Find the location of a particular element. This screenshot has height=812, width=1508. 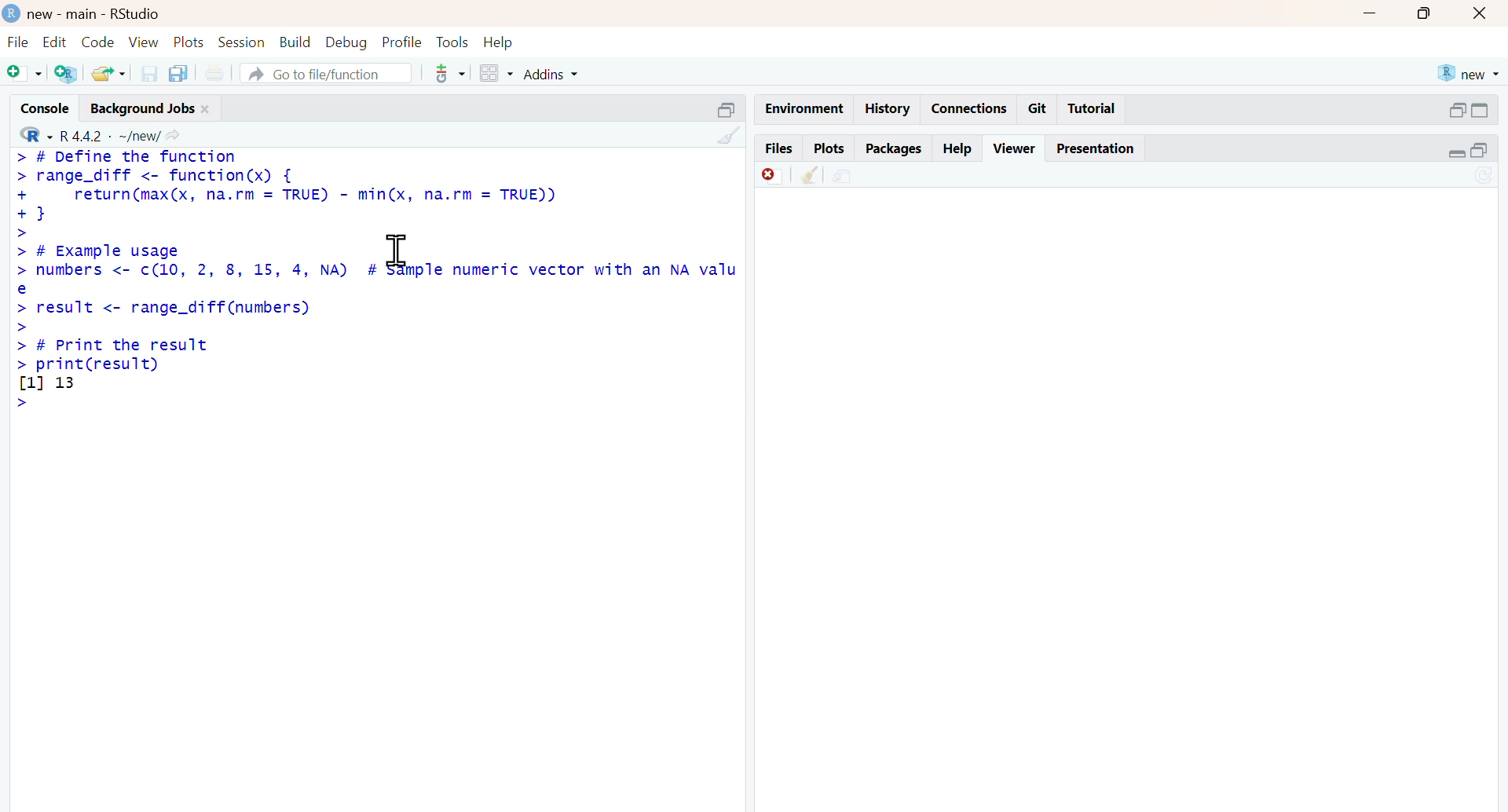

Environment  is located at coordinates (804, 110).